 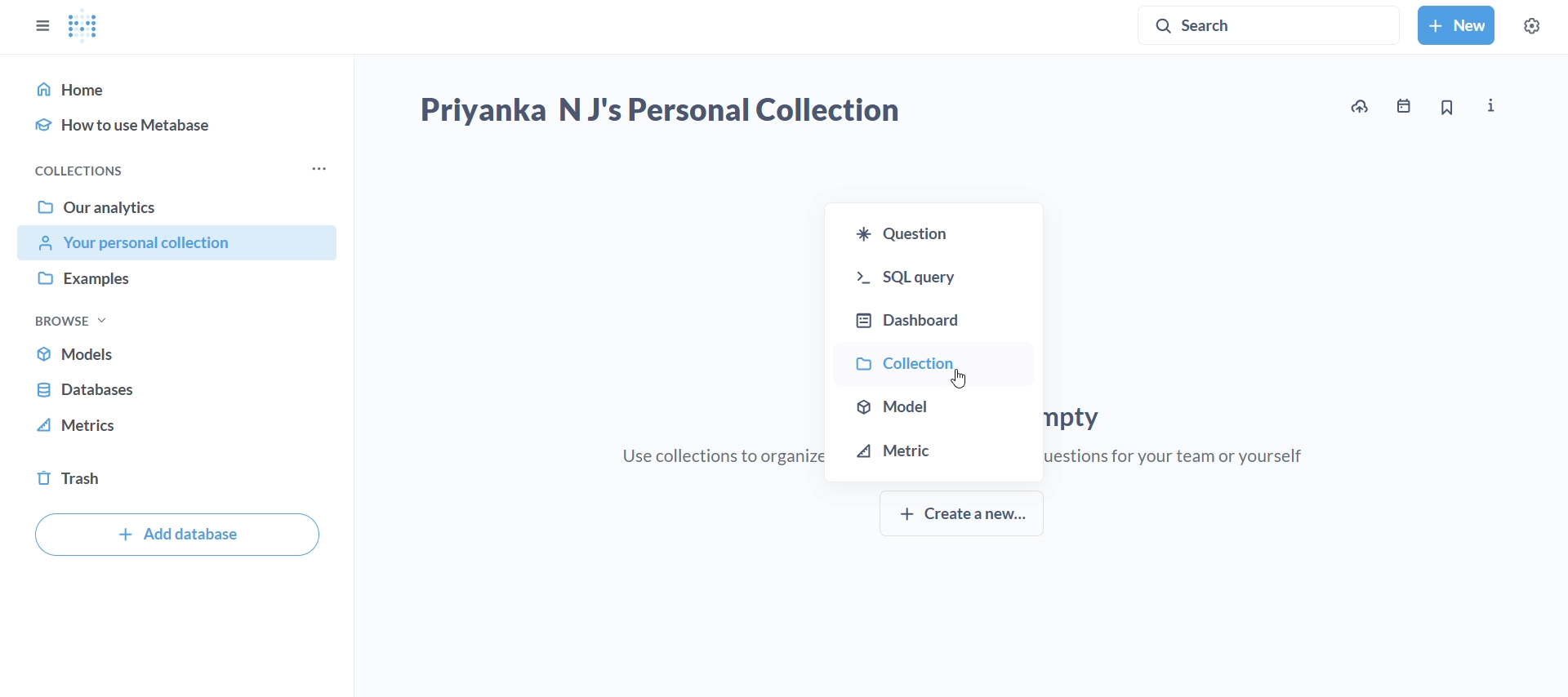 I want to click on collections, so click(x=70, y=169).